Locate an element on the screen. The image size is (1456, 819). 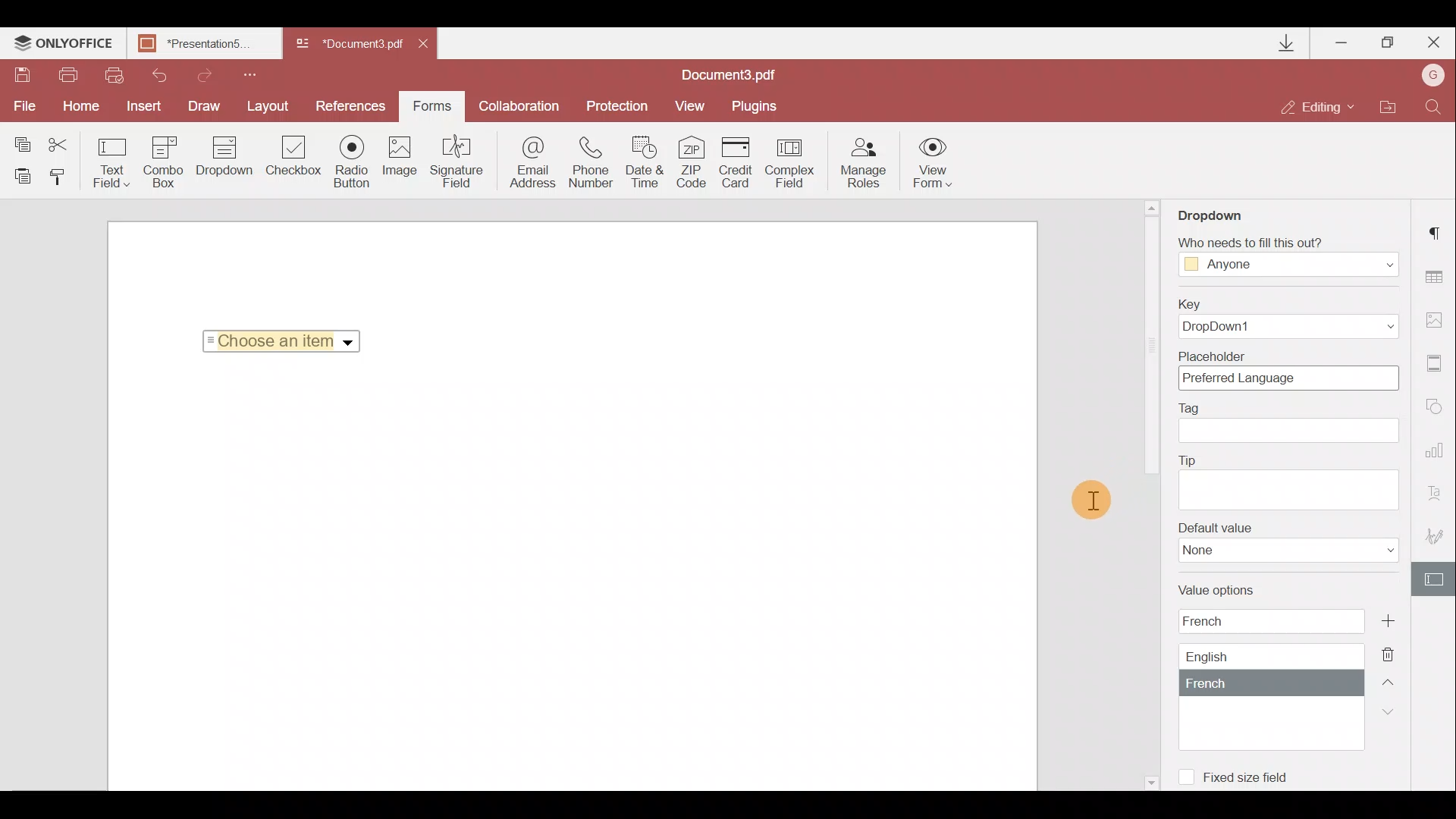
Customize quick access toolbar is located at coordinates (244, 73).